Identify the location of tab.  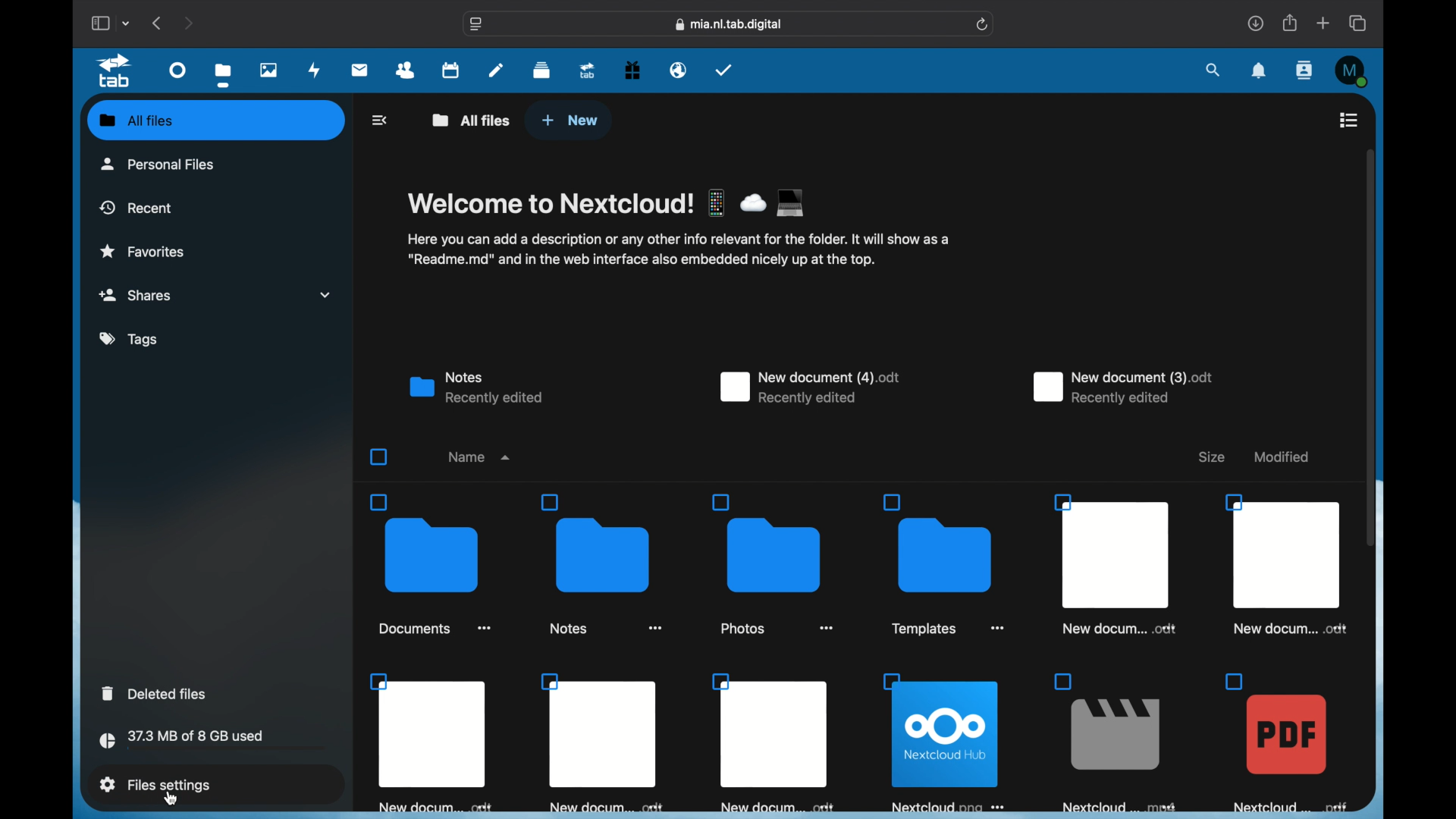
(588, 71).